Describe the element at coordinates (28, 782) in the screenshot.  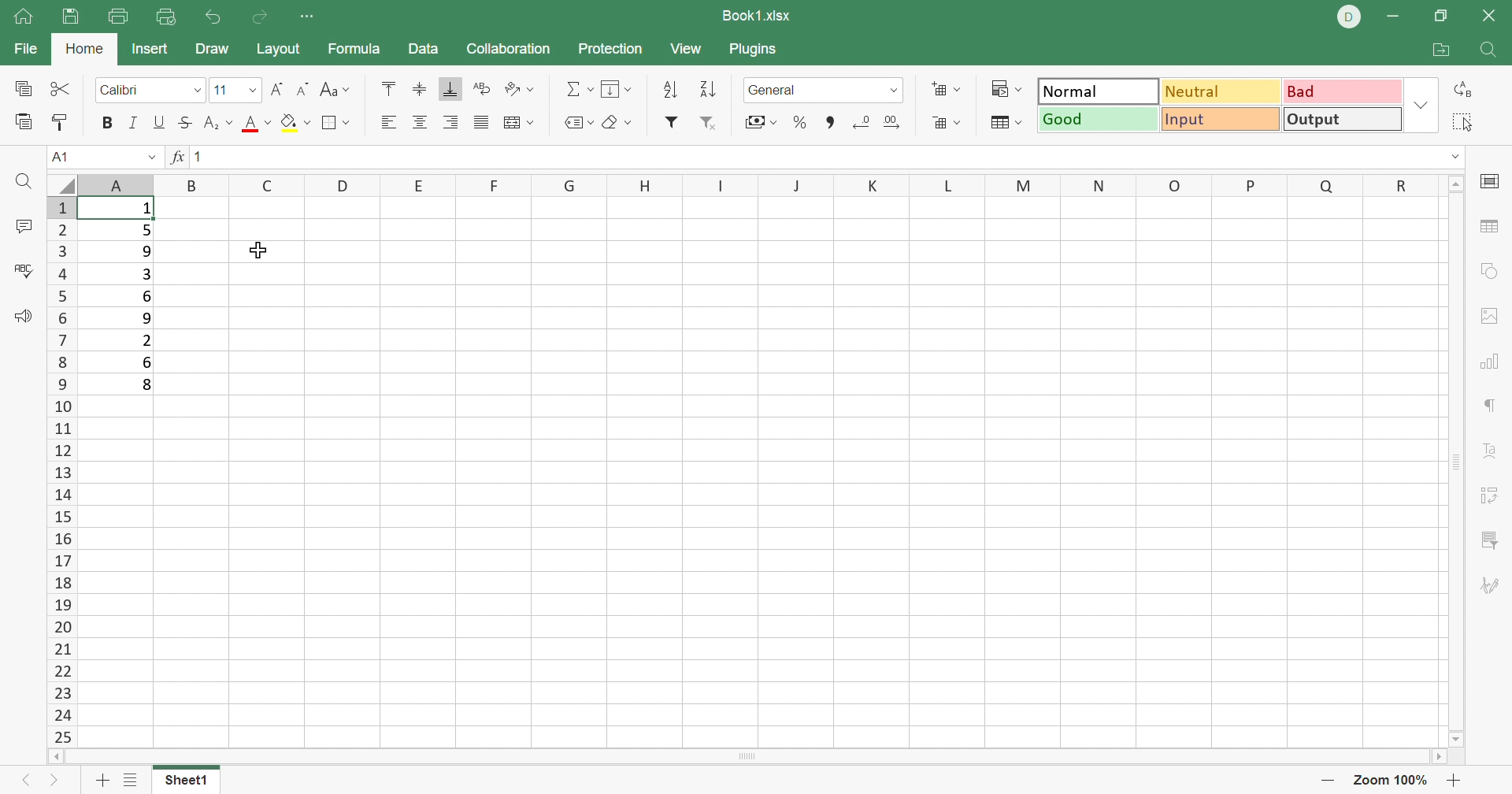
I see `Previous` at that location.